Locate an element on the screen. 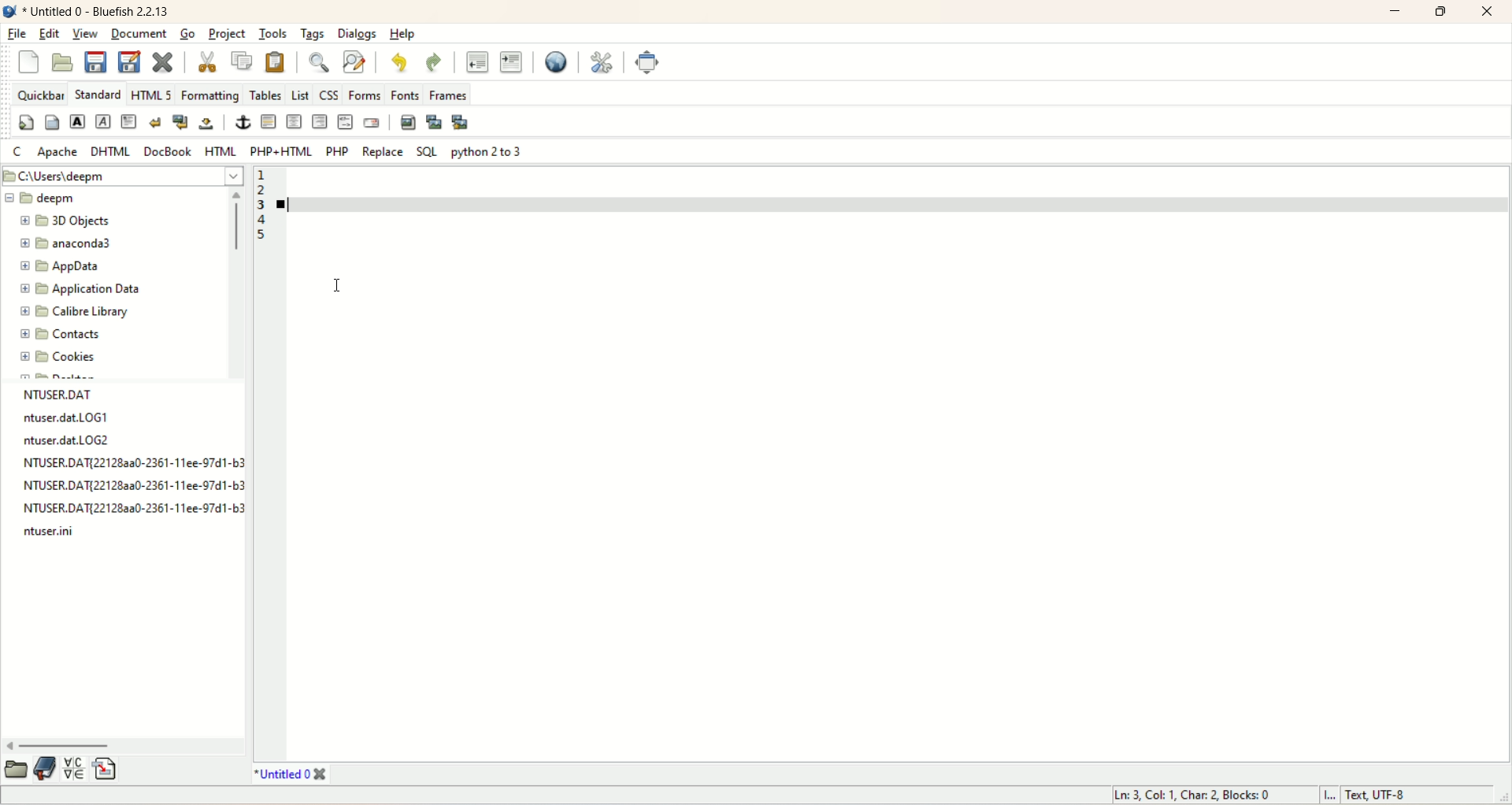 The image size is (1512, 805). file name is located at coordinates (74, 417).